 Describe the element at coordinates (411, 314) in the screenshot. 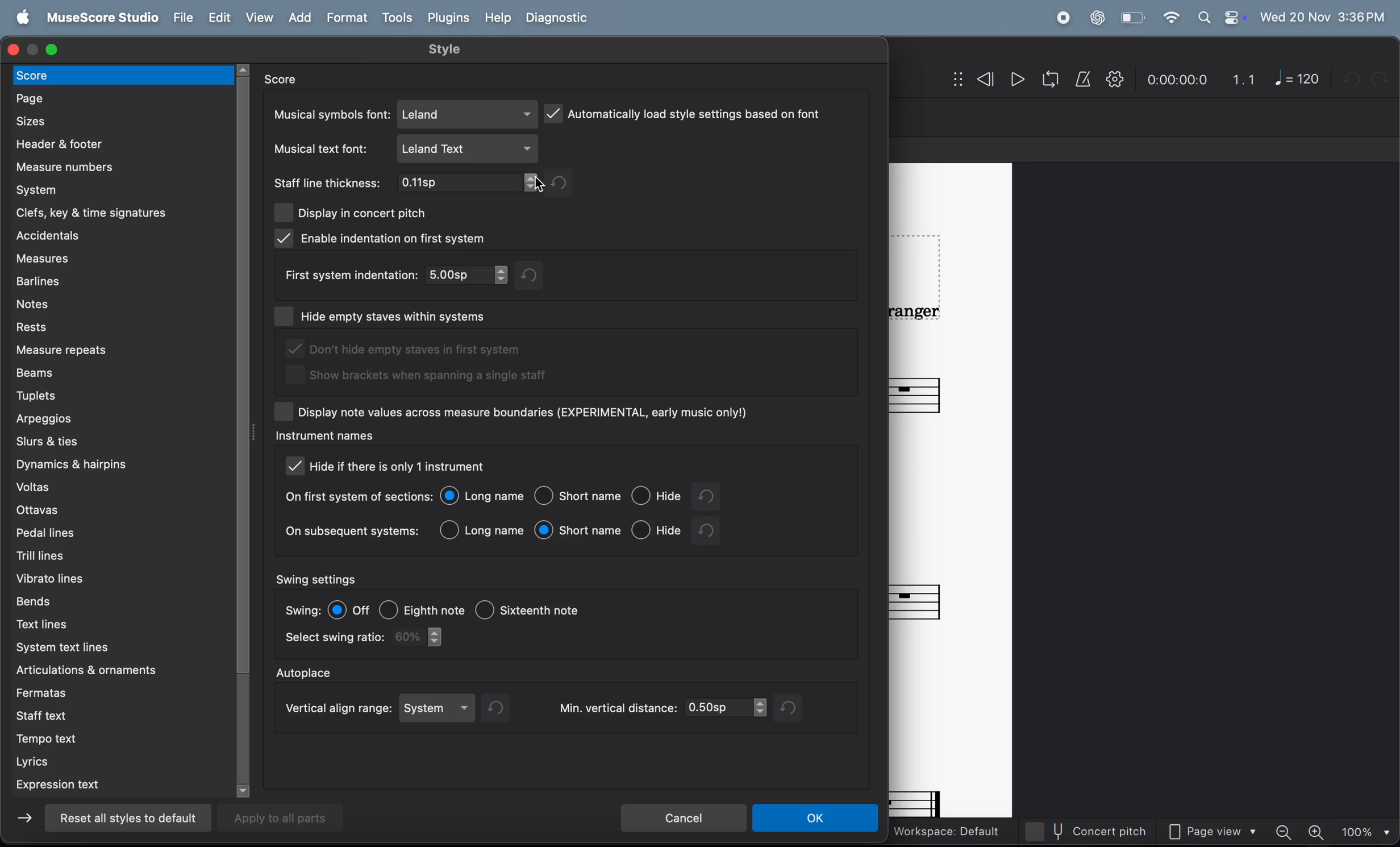

I see `hide empty staveswith system` at that location.